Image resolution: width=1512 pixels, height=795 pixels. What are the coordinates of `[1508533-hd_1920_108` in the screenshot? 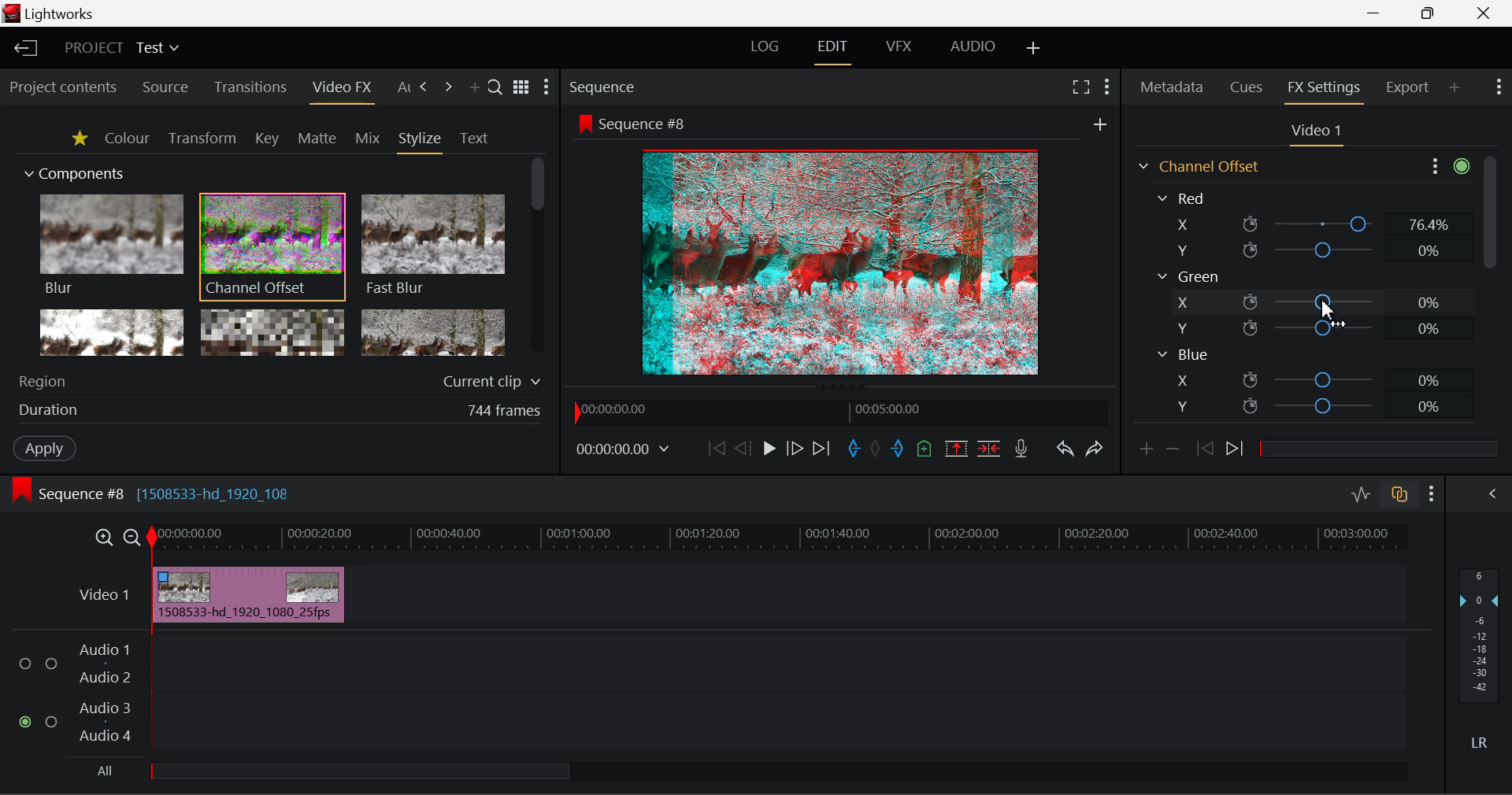 It's located at (217, 494).